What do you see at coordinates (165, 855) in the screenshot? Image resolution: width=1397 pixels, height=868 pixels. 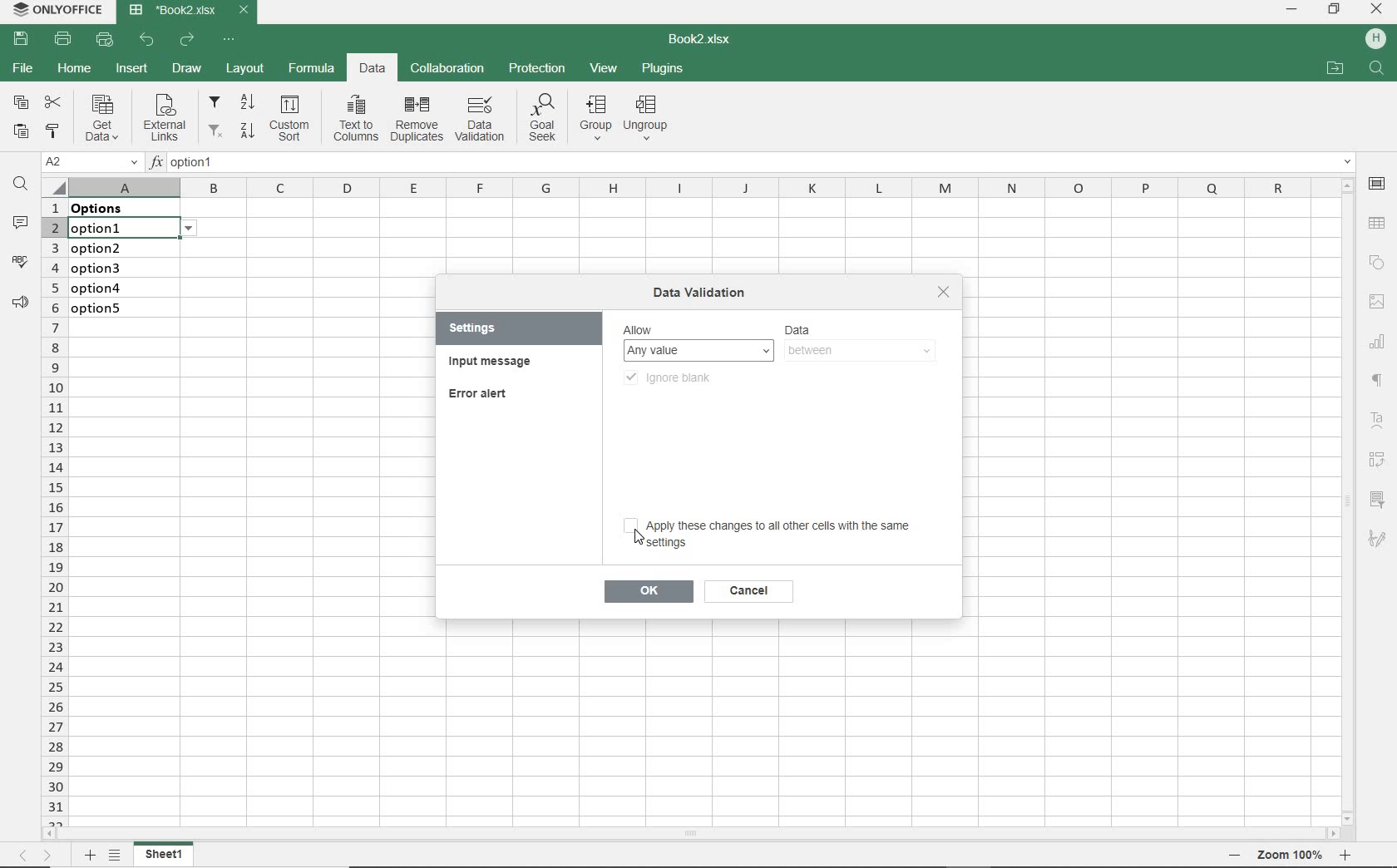 I see `sheet1` at bounding box center [165, 855].